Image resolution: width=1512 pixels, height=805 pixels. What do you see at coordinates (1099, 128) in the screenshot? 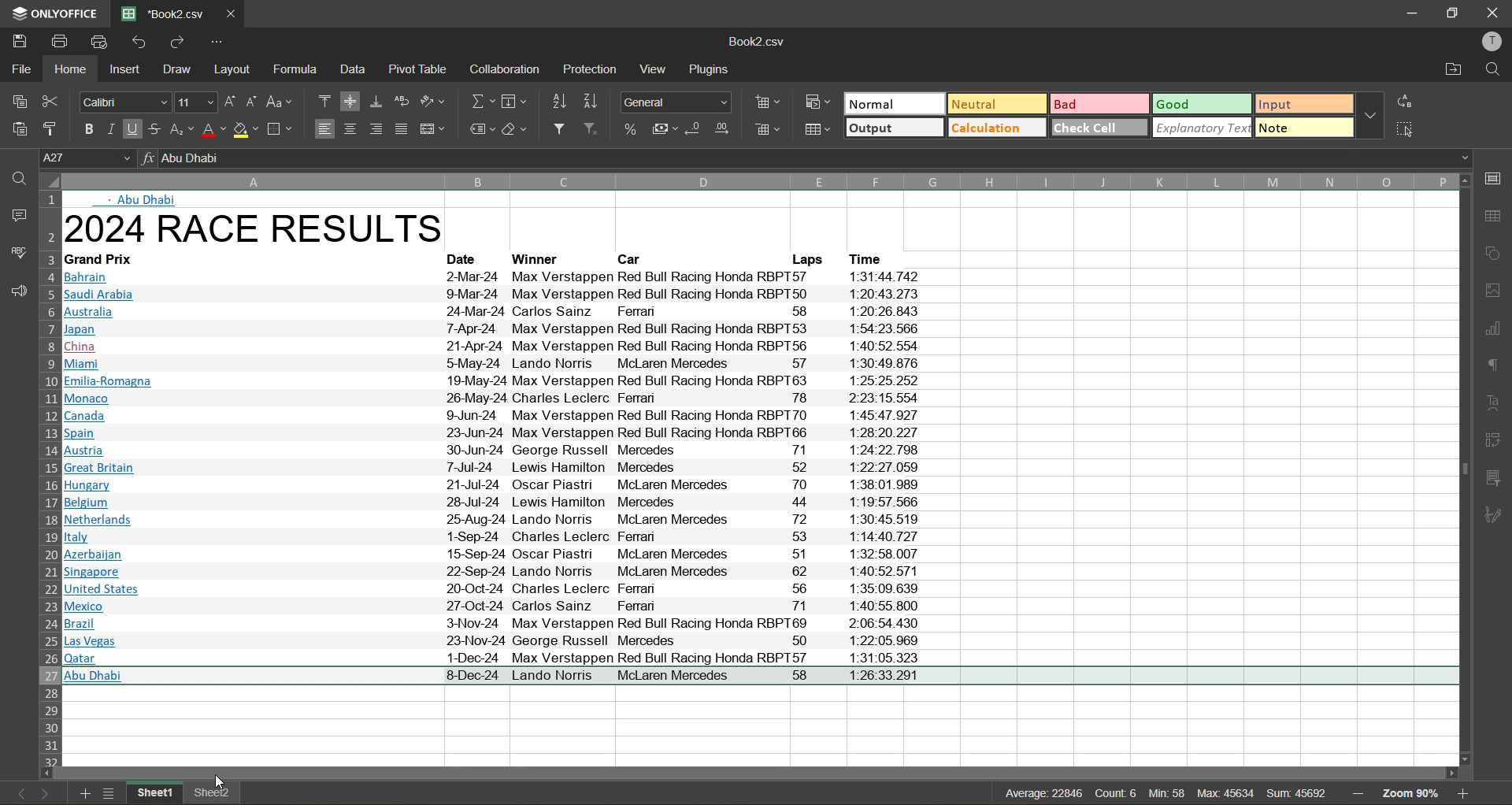
I see `check cell` at bounding box center [1099, 128].